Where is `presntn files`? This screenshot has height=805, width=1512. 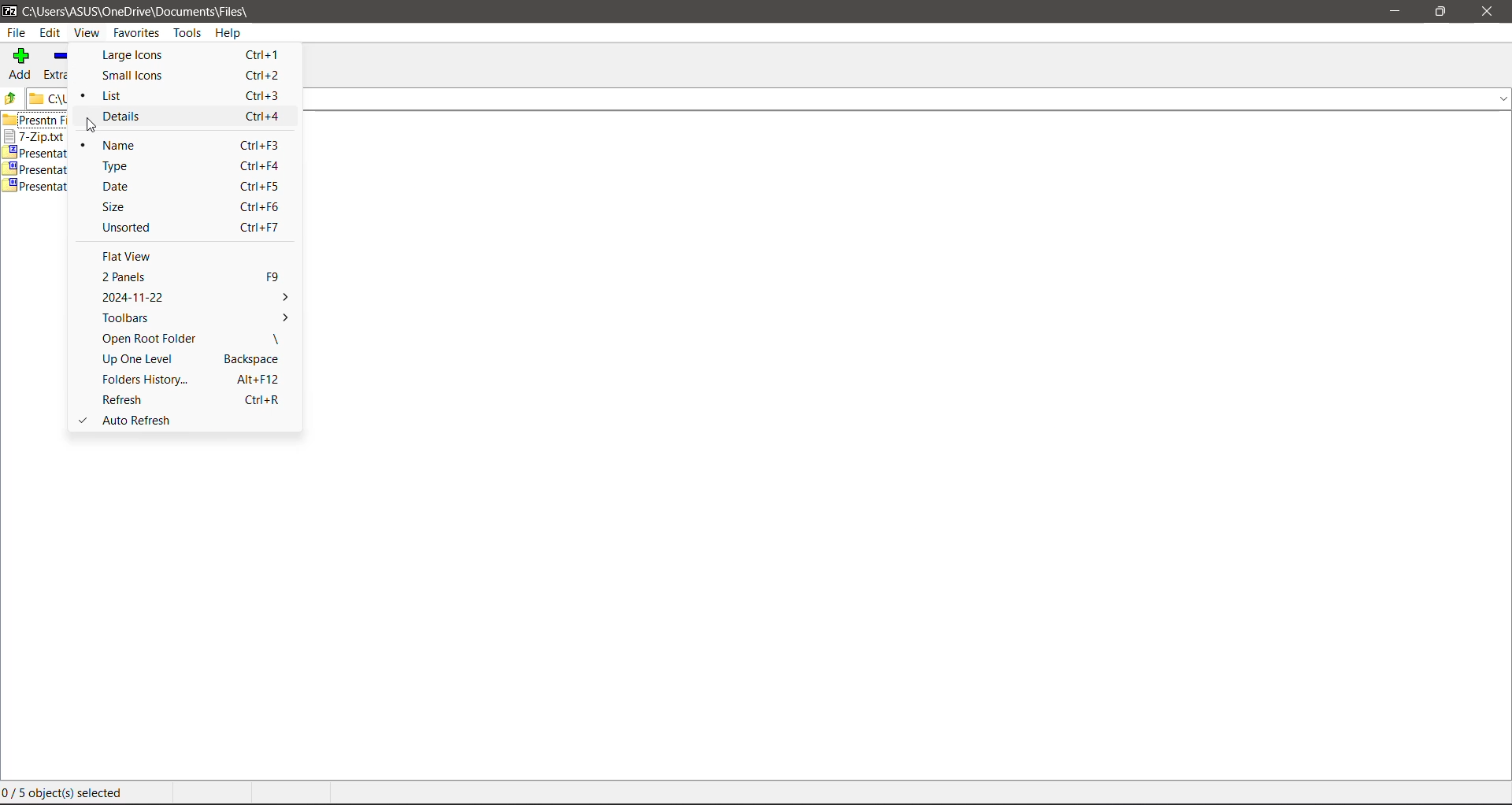 presntn files is located at coordinates (42, 121).